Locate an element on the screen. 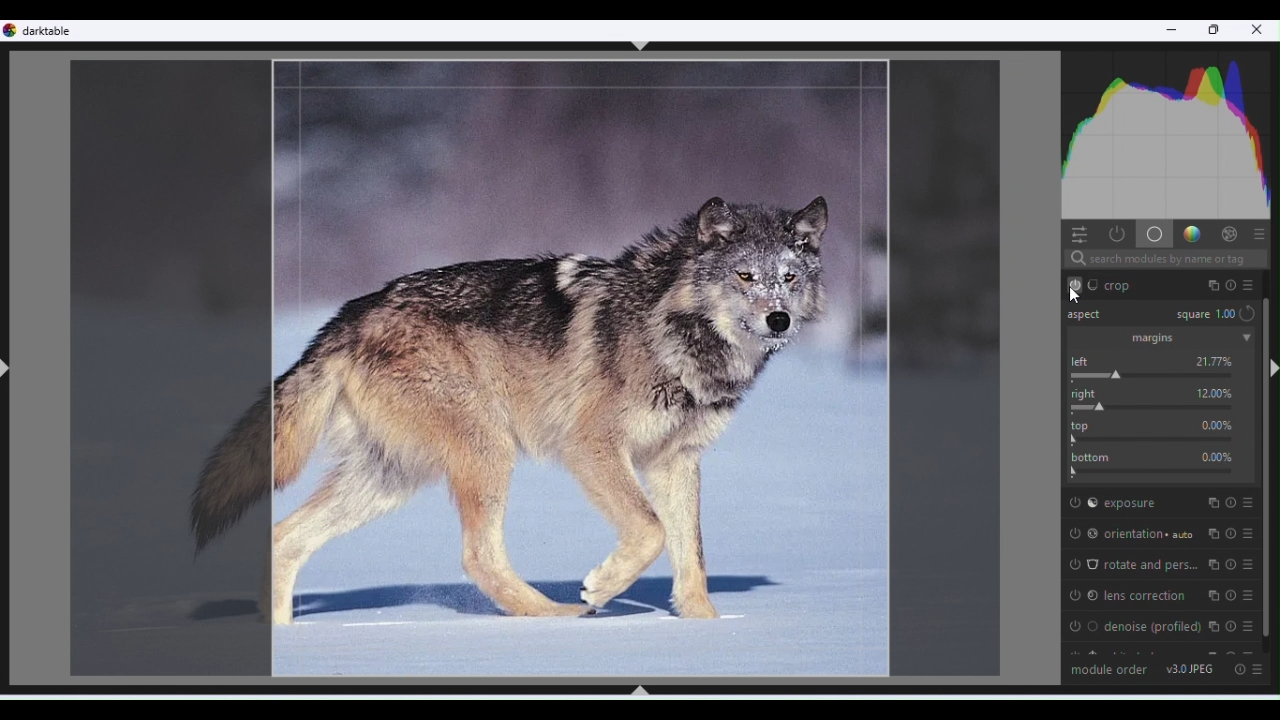 The image size is (1280, 720). Close is located at coordinates (1258, 32).